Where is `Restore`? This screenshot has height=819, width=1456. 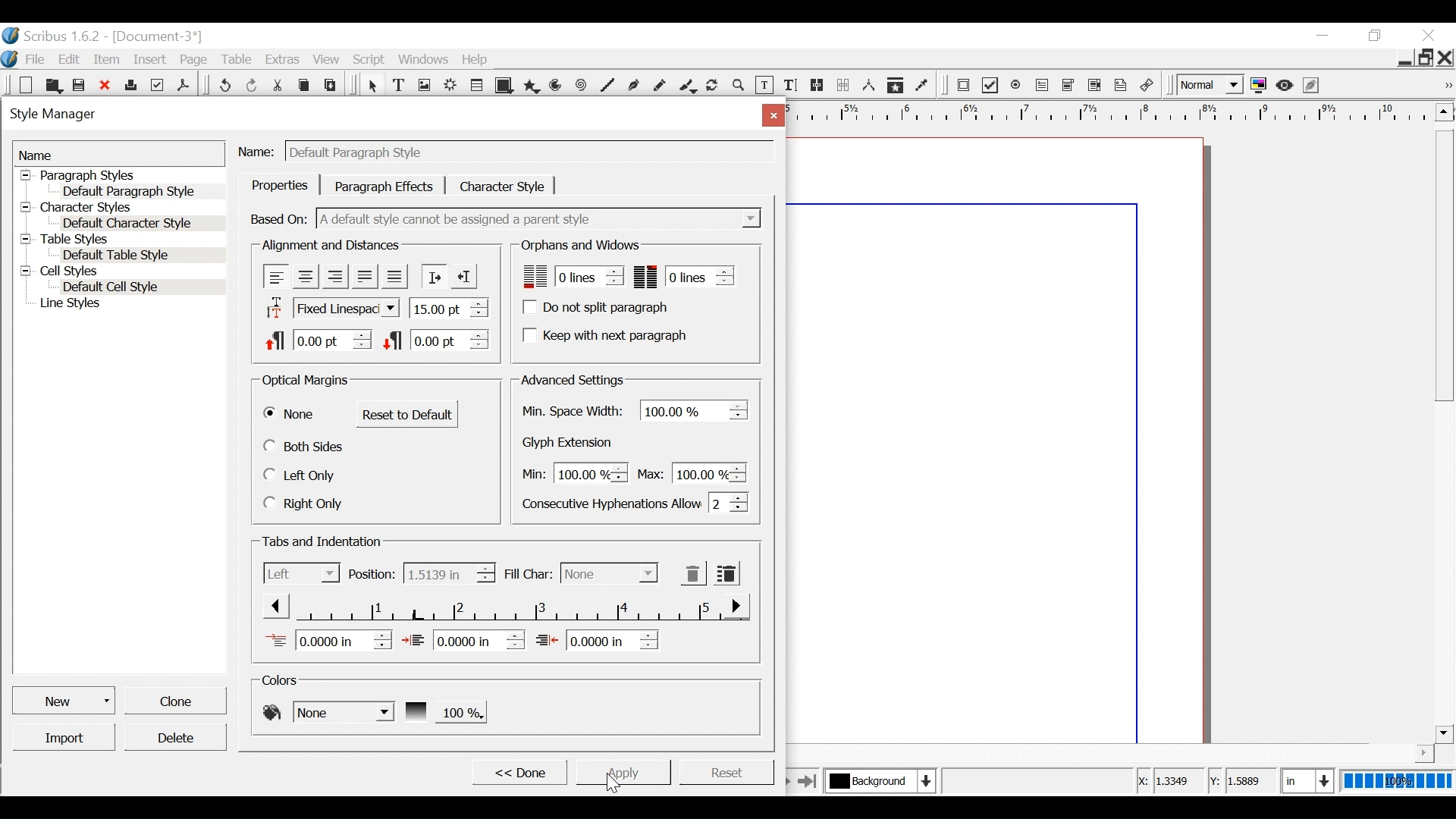 Restore is located at coordinates (1376, 36).